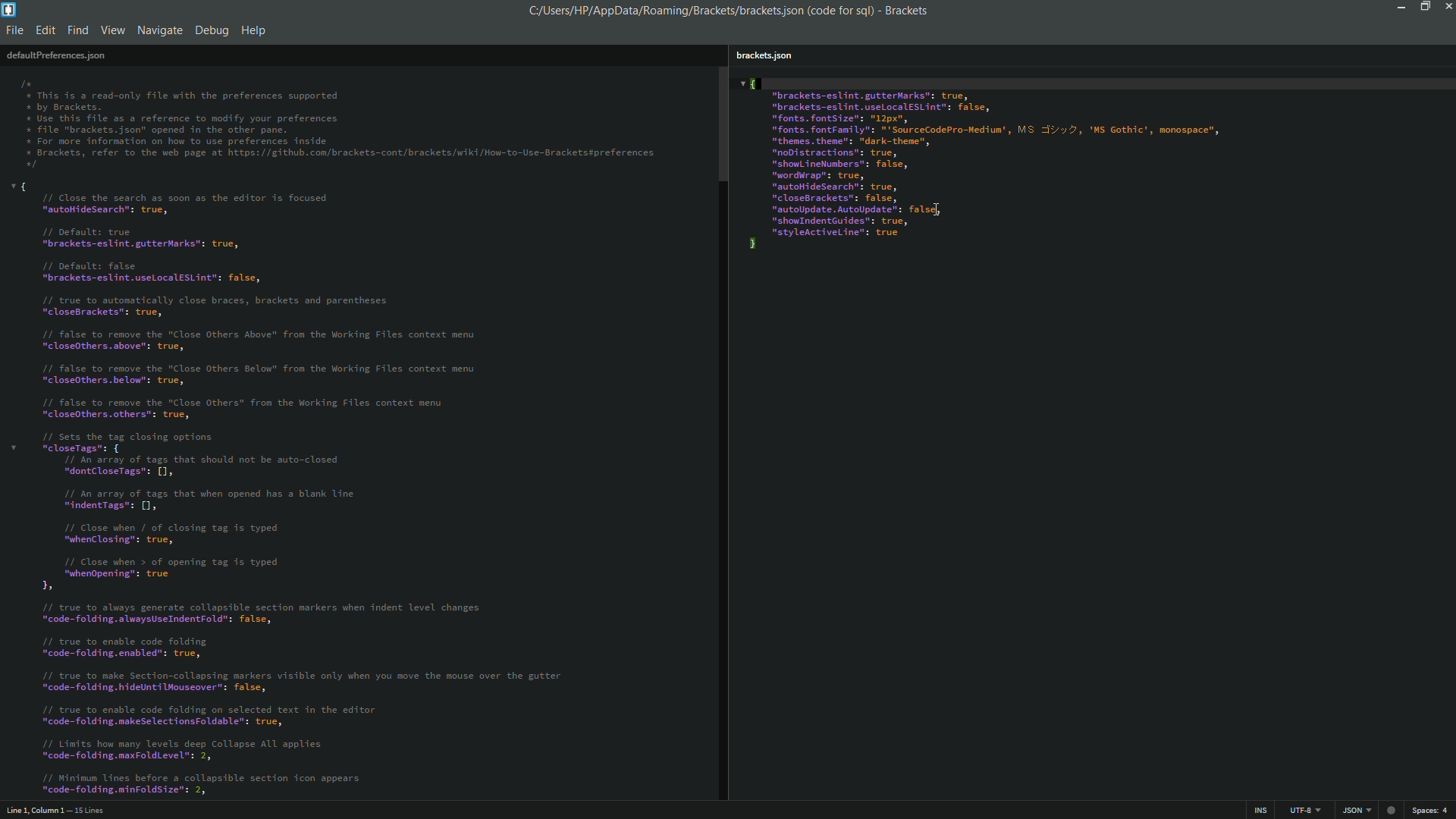  What do you see at coordinates (340, 121) in the screenshot?
I see `Ix

* This is a read-only file with the preferences supported

* by Brackets.

* Use this file as a reference to modify your preferences

* file "brackets.json" opened in the other pane.

* For more information on how to use preferences inside

* Brackets, refer to the web page at https: //github.con/brackets-cont/brackets/wiki/How-to-Use-Bracketsspreferences
*/` at bounding box center [340, 121].